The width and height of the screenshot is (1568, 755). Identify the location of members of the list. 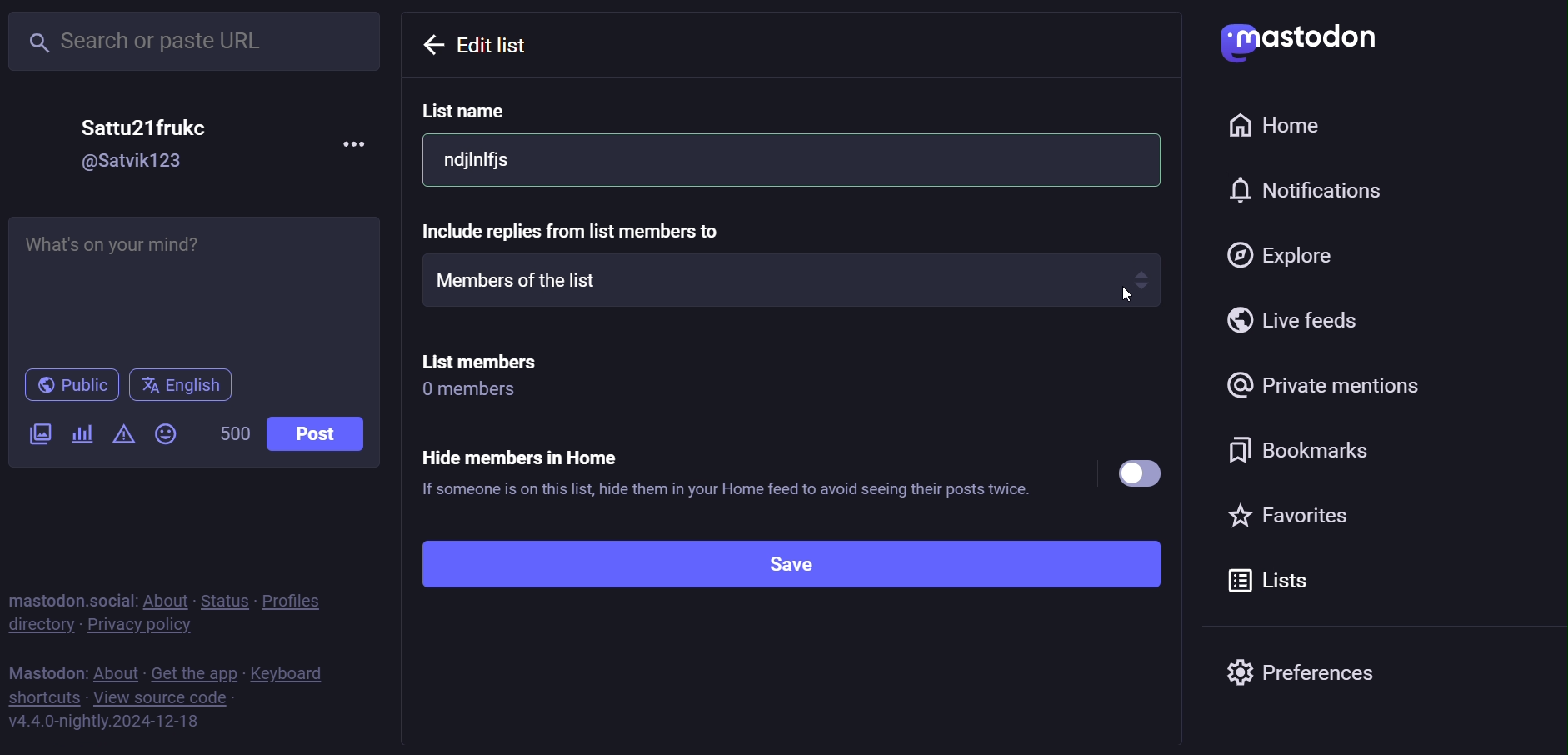
(789, 279).